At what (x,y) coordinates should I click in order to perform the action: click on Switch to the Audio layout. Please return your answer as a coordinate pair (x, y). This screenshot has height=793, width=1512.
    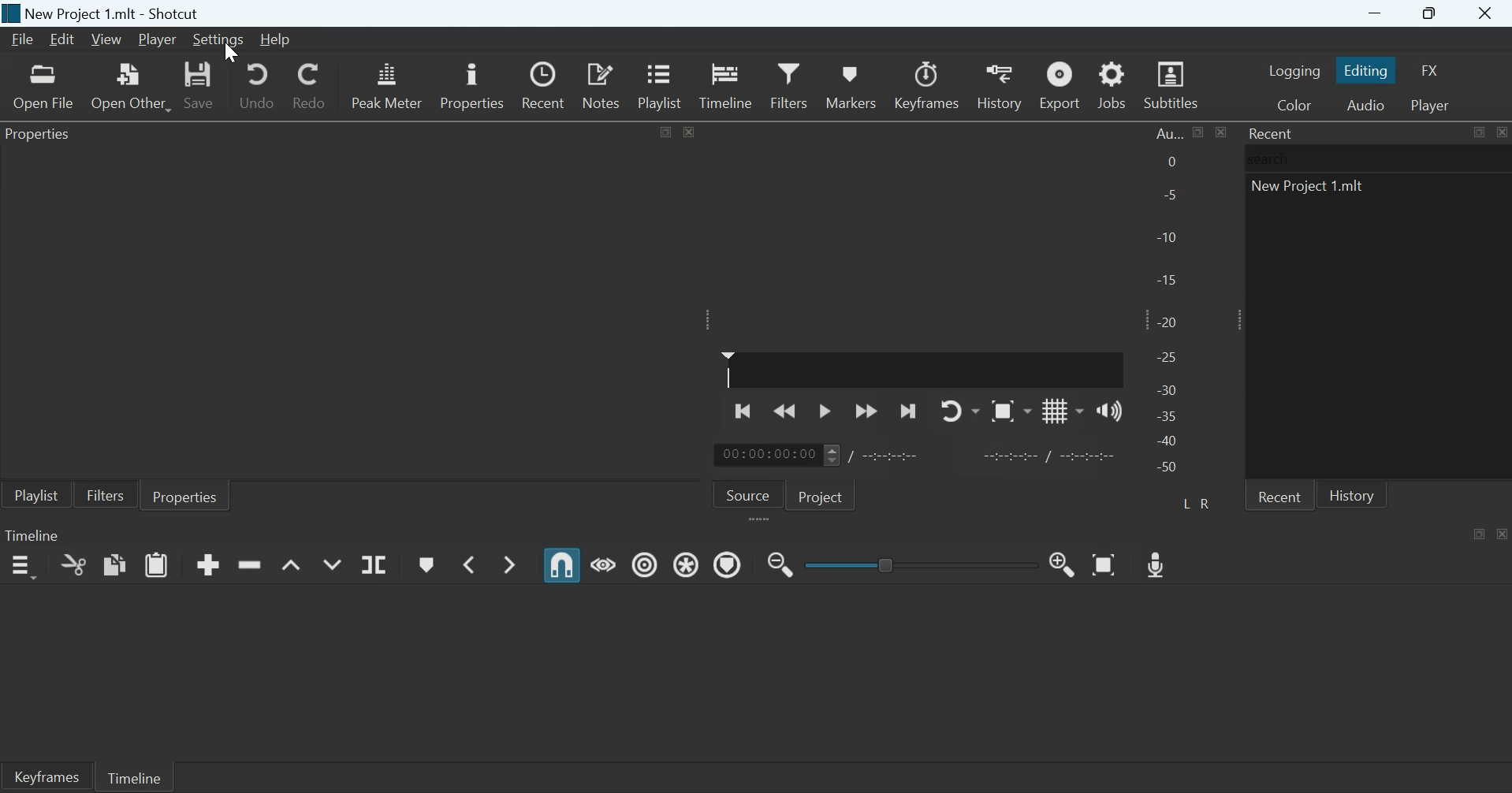
    Looking at the image, I should click on (1365, 104).